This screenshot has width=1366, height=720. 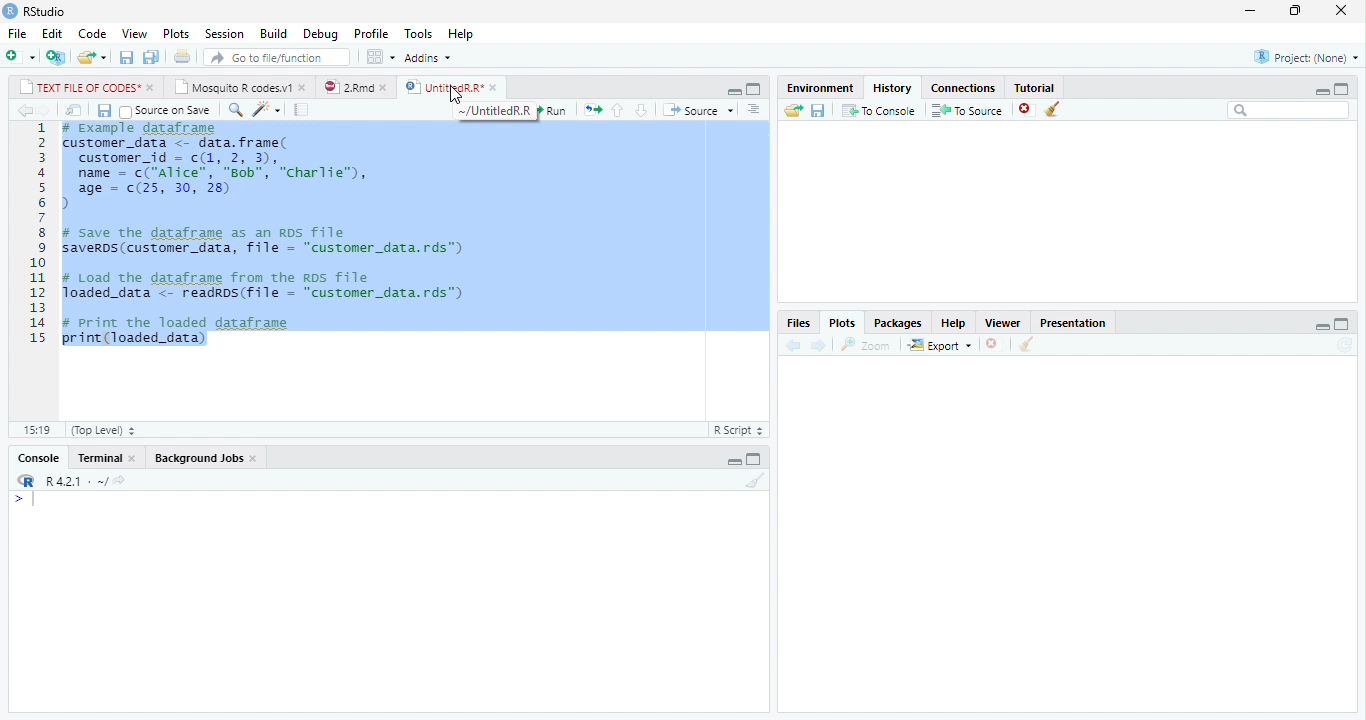 I want to click on Packages, so click(x=895, y=324).